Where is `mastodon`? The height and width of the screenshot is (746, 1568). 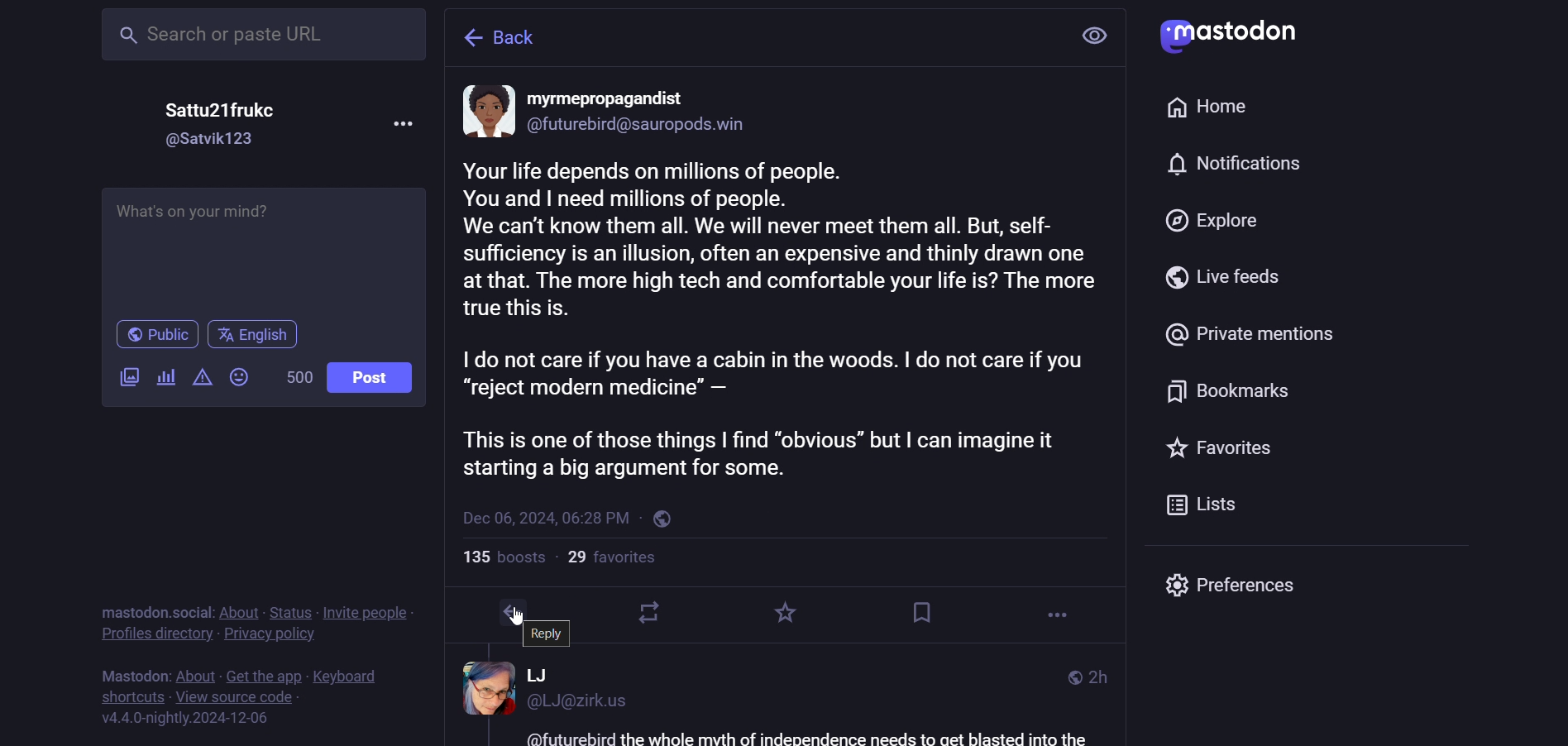
mastodon is located at coordinates (1232, 34).